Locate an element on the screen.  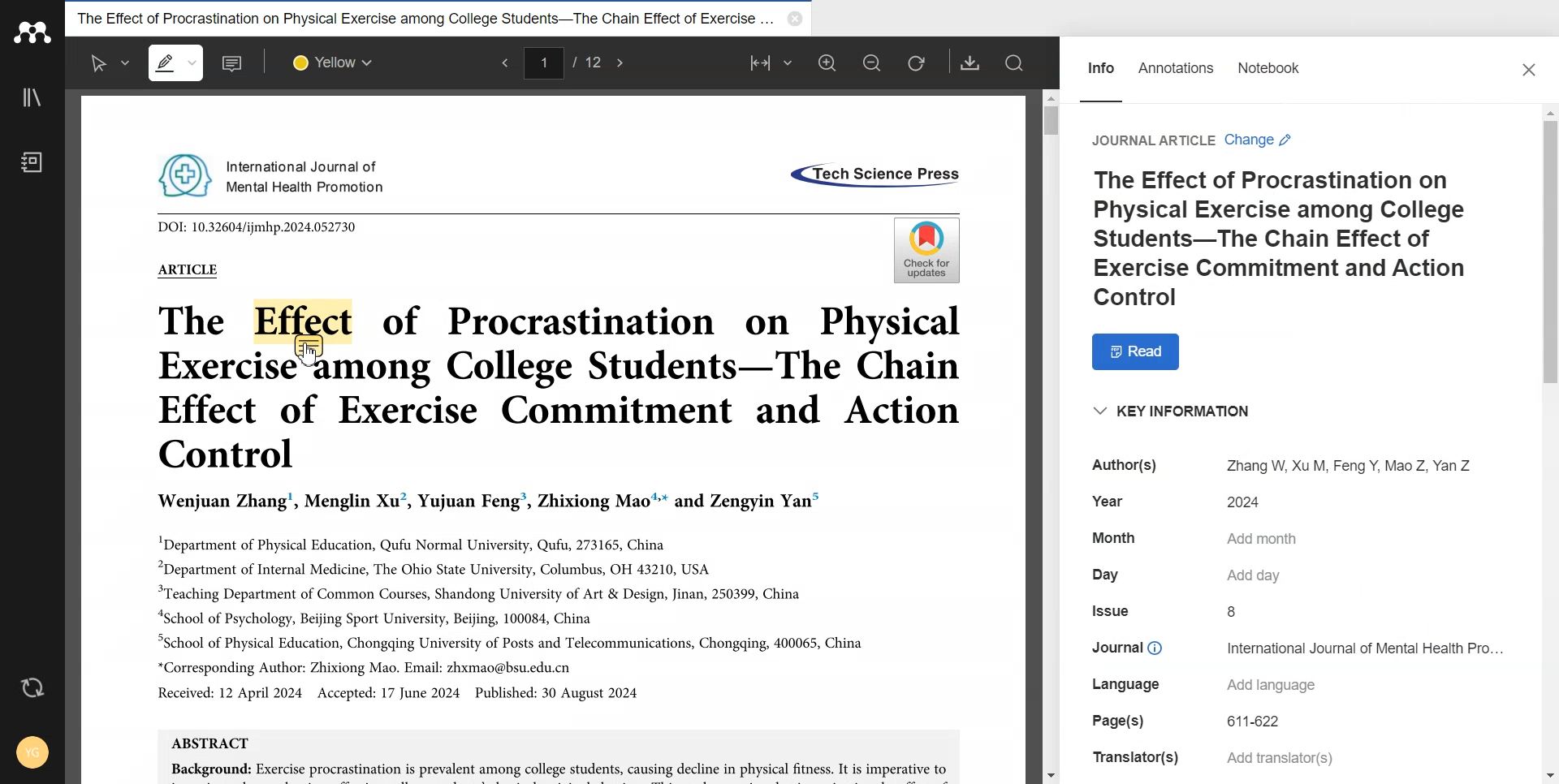
Select colour is located at coordinates (336, 64).